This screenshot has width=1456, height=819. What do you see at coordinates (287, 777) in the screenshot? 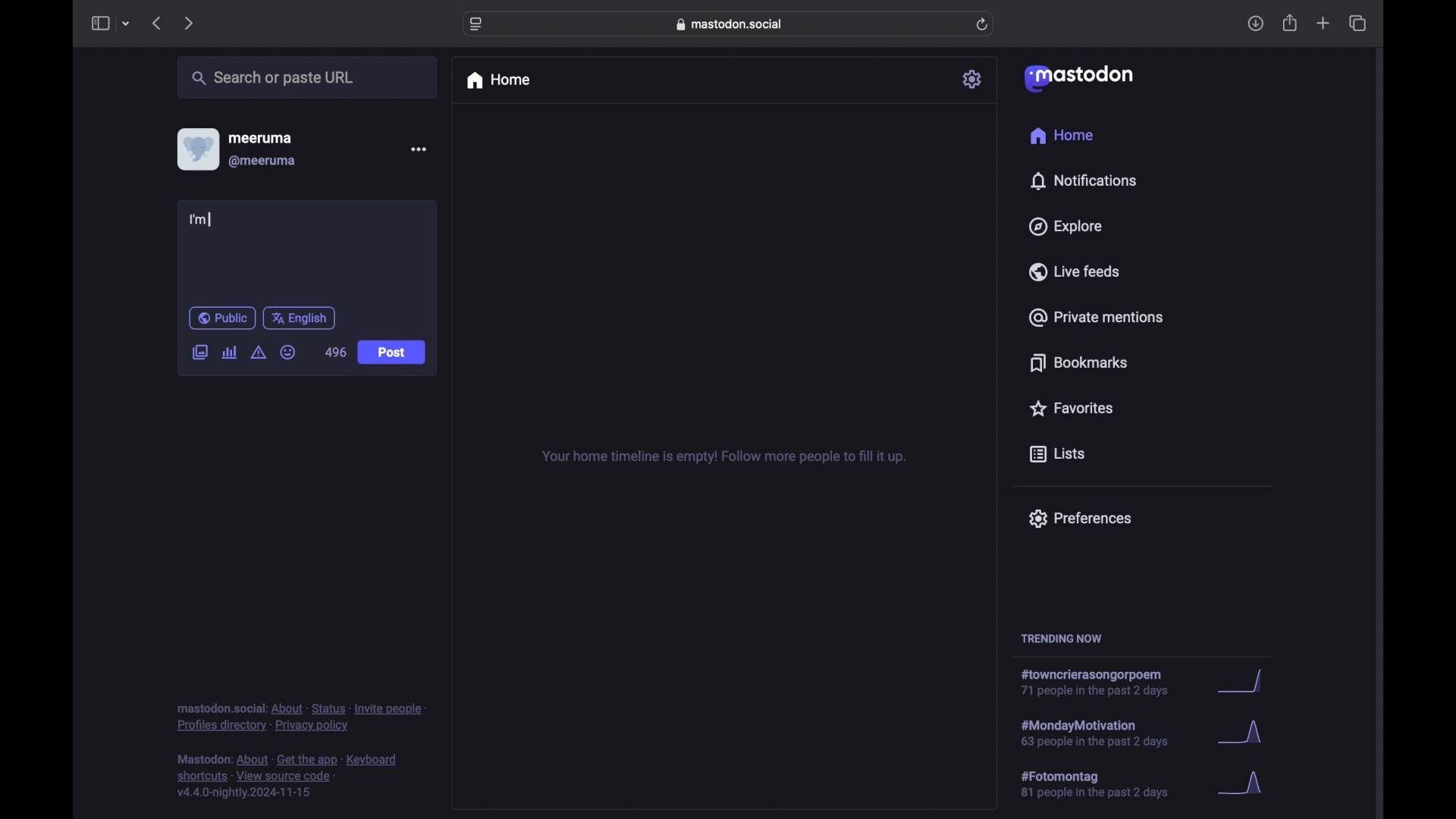
I see `footnote` at bounding box center [287, 777].